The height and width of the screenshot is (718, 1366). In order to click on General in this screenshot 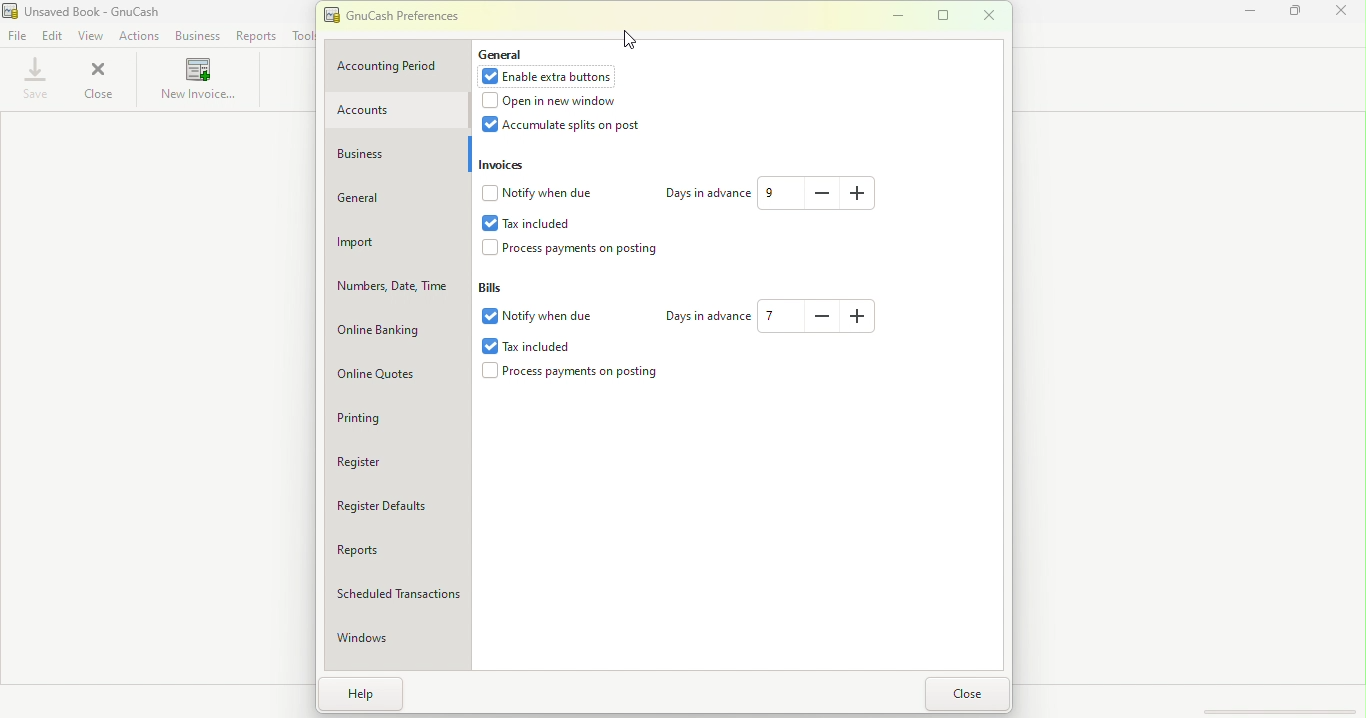, I will do `click(511, 54)`.